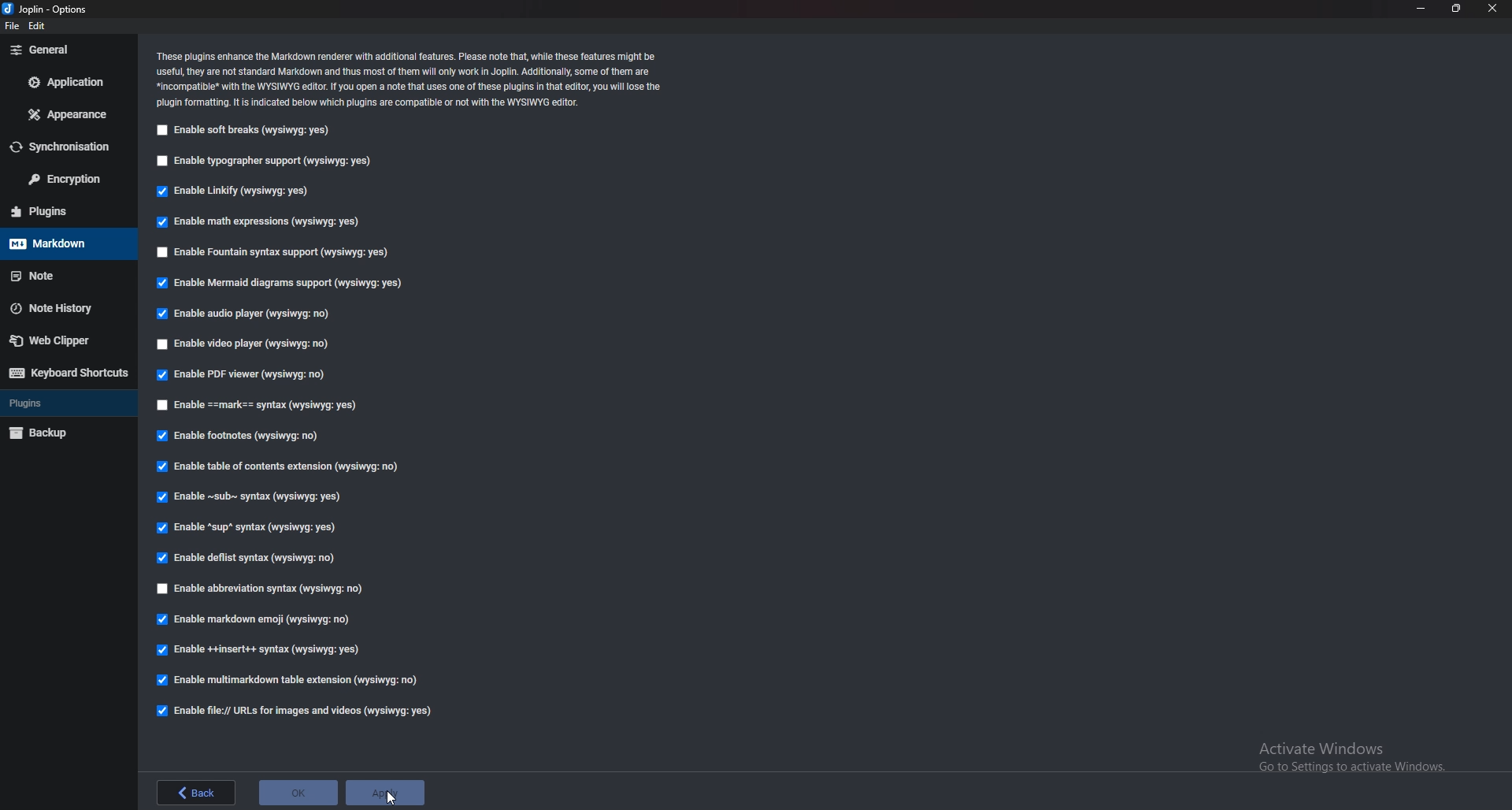 Image resolution: width=1512 pixels, height=810 pixels. What do you see at coordinates (65, 373) in the screenshot?
I see `Keyboard shortcuts` at bounding box center [65, 373].